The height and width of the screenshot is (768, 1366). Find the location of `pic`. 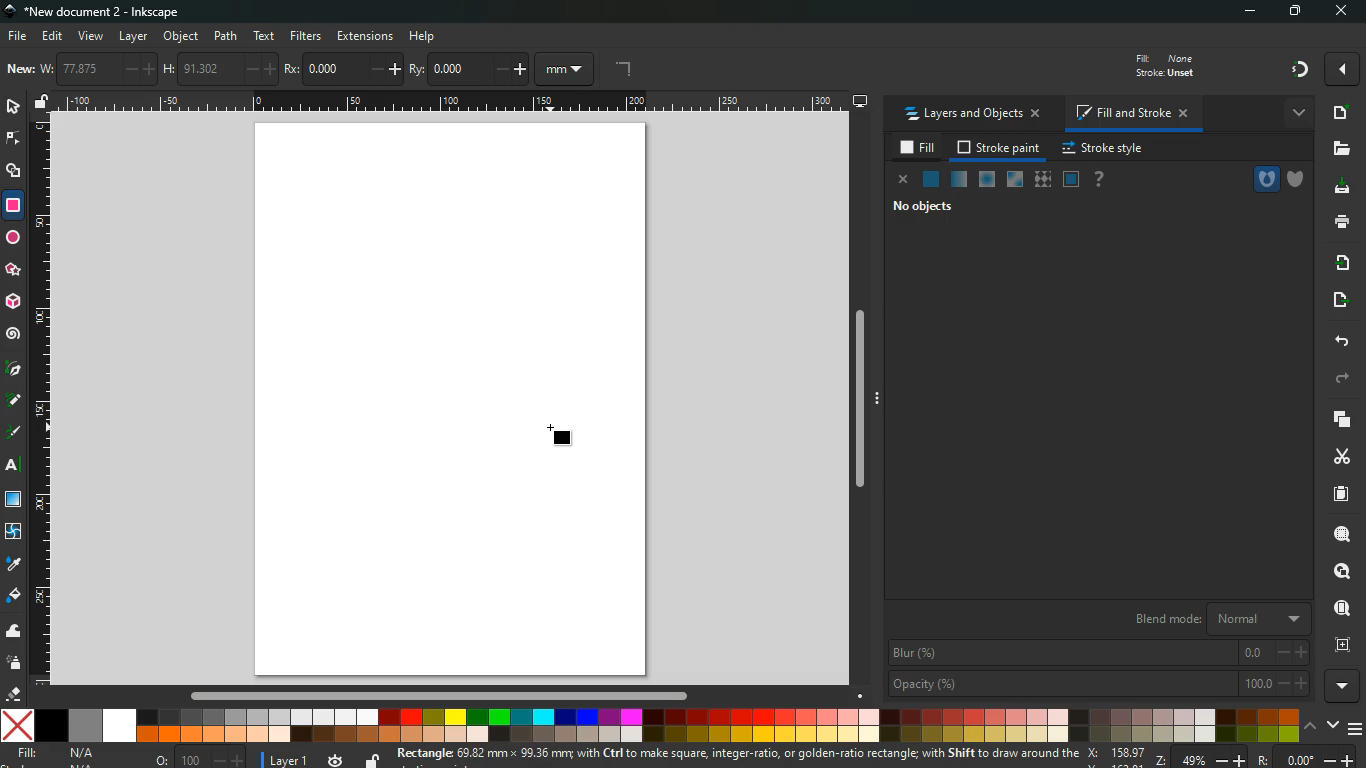

pic is located at coordinates (15, 370).